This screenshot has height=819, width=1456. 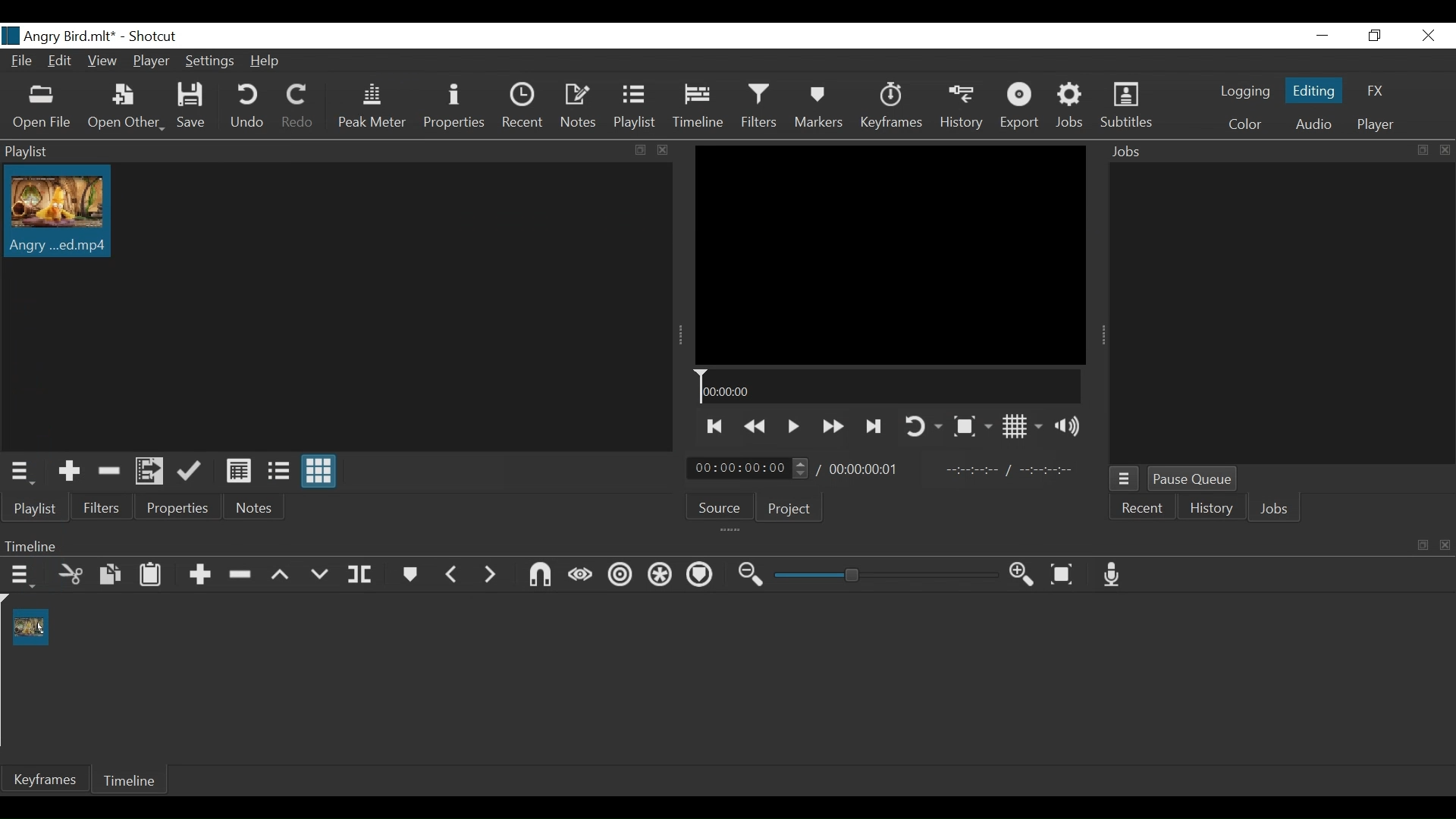 I want to click on Current uration, so click(x=748, y=467).